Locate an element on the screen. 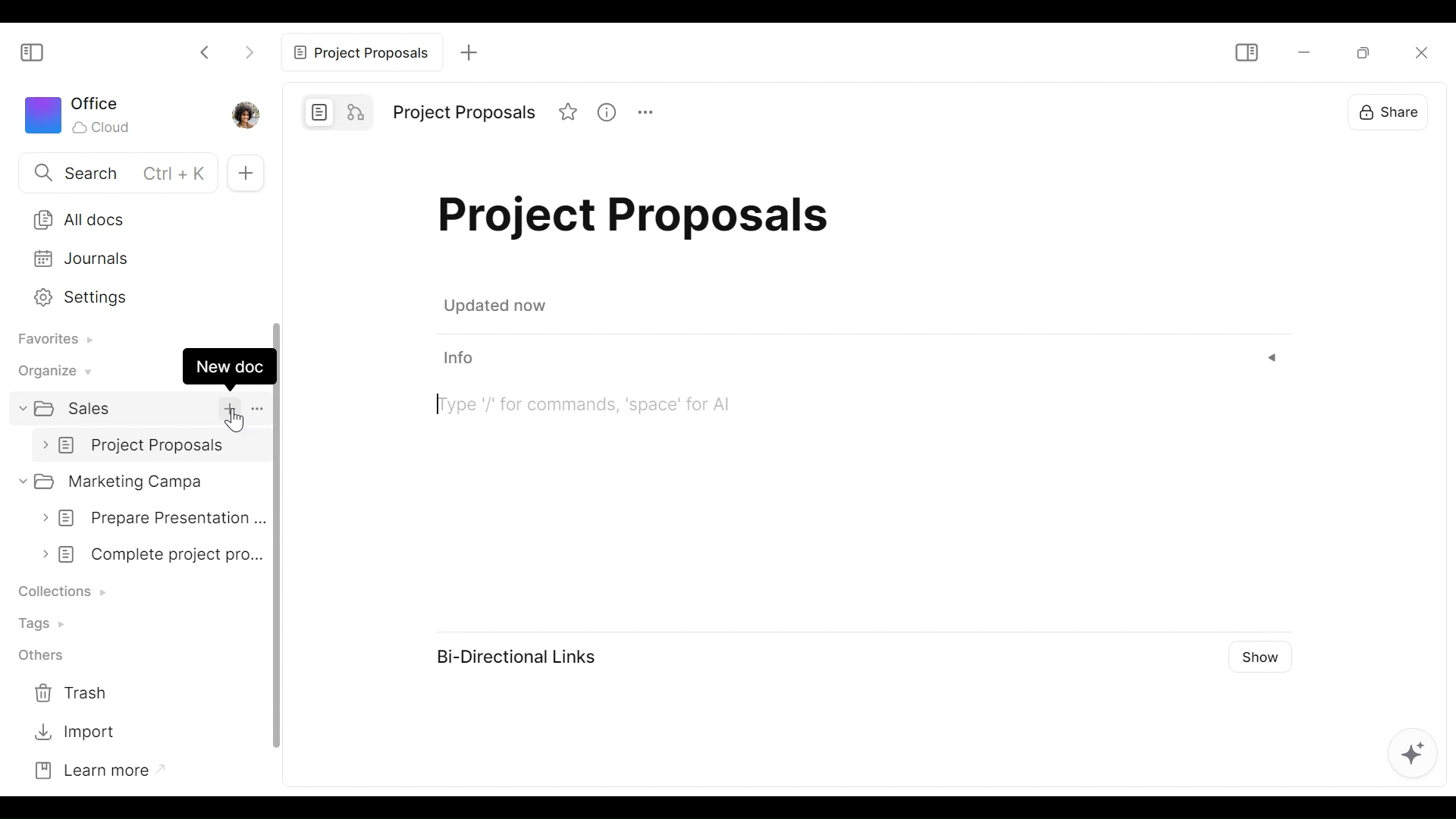 This screenshot has height=819, width=1456. Search is located at coordinates (115, 171).